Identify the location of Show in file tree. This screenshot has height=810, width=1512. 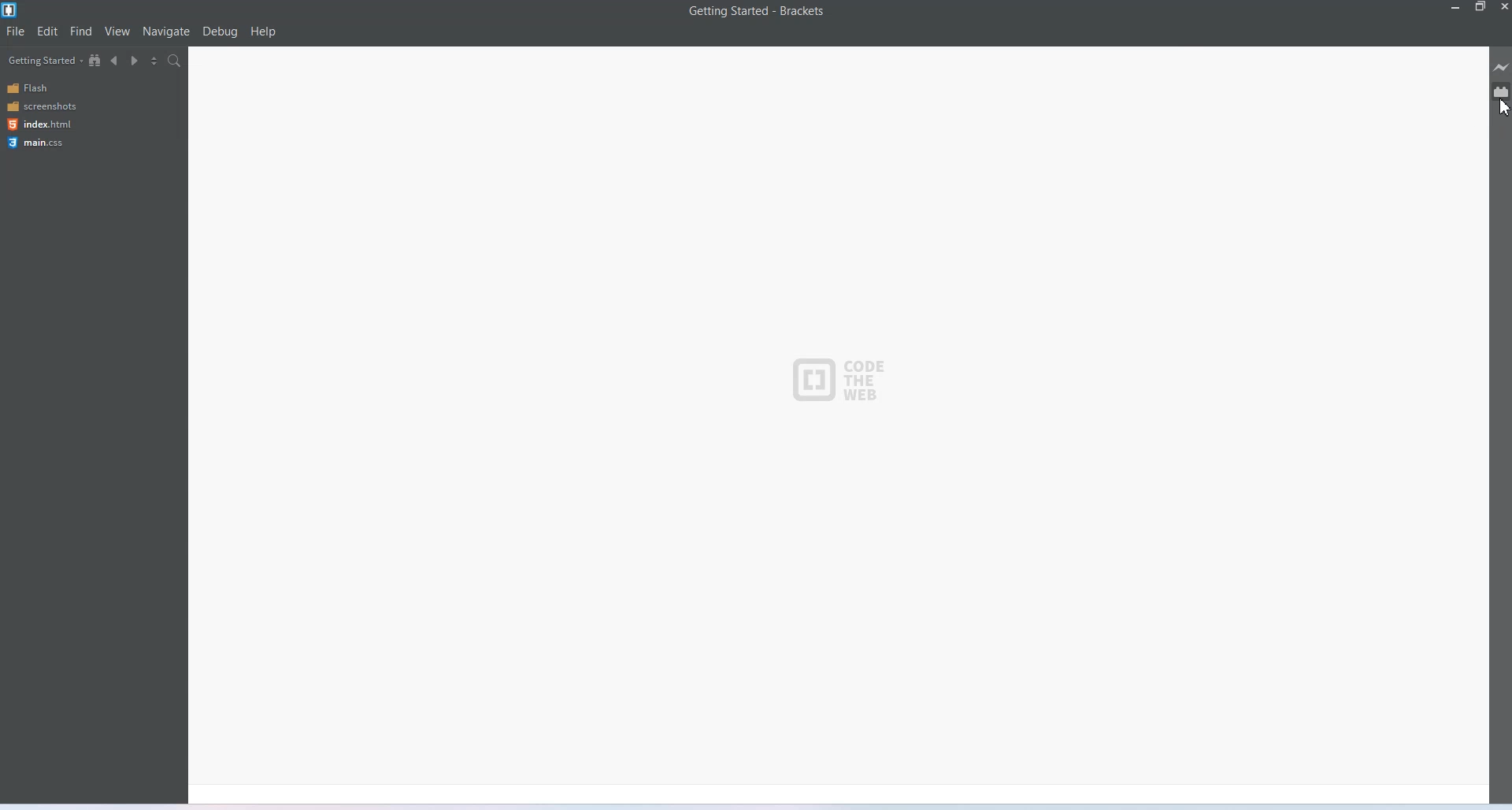
(96, 60).